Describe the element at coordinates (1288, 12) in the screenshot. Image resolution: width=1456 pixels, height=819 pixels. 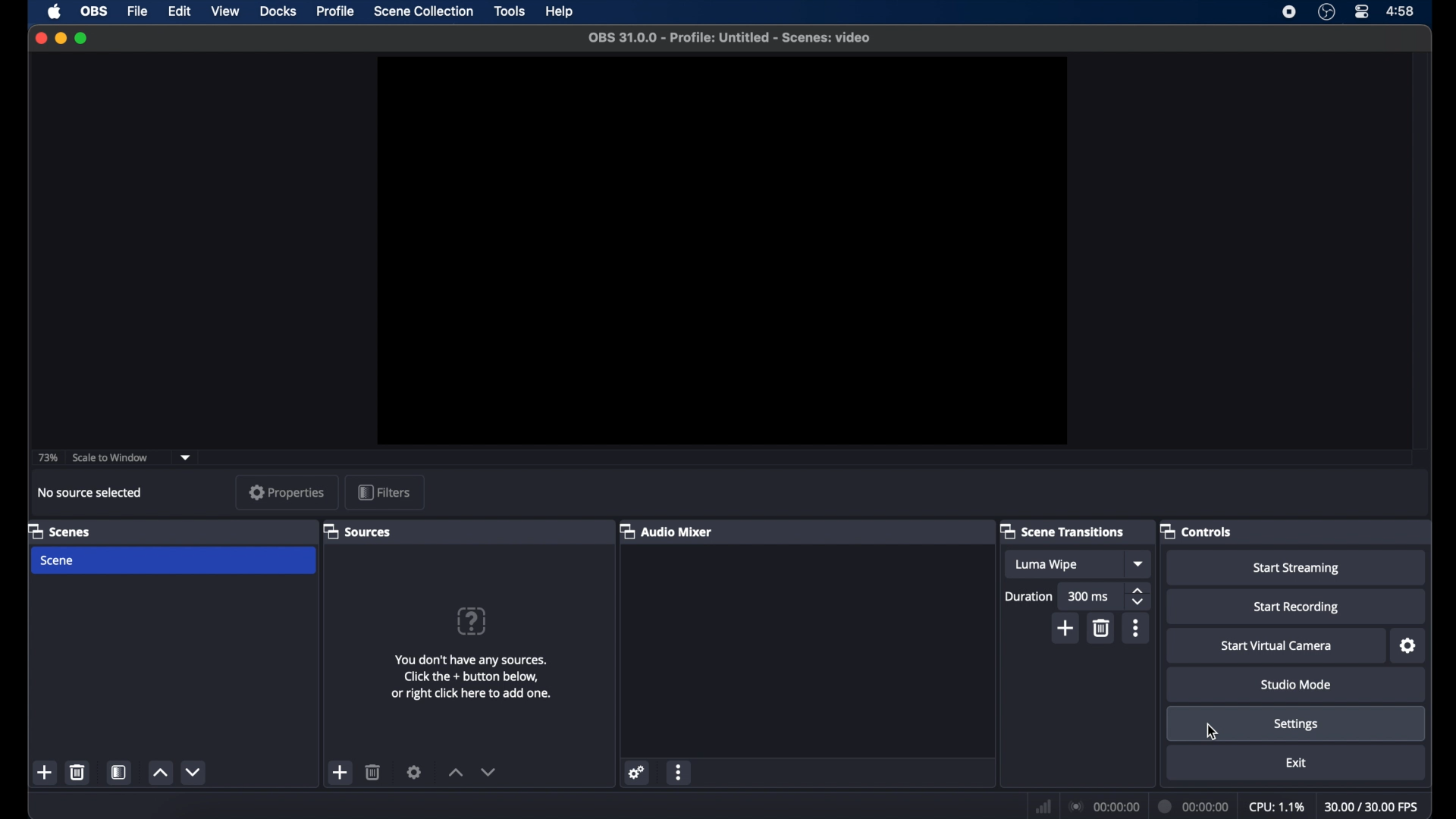
I see `screen recorder icon` at that location.